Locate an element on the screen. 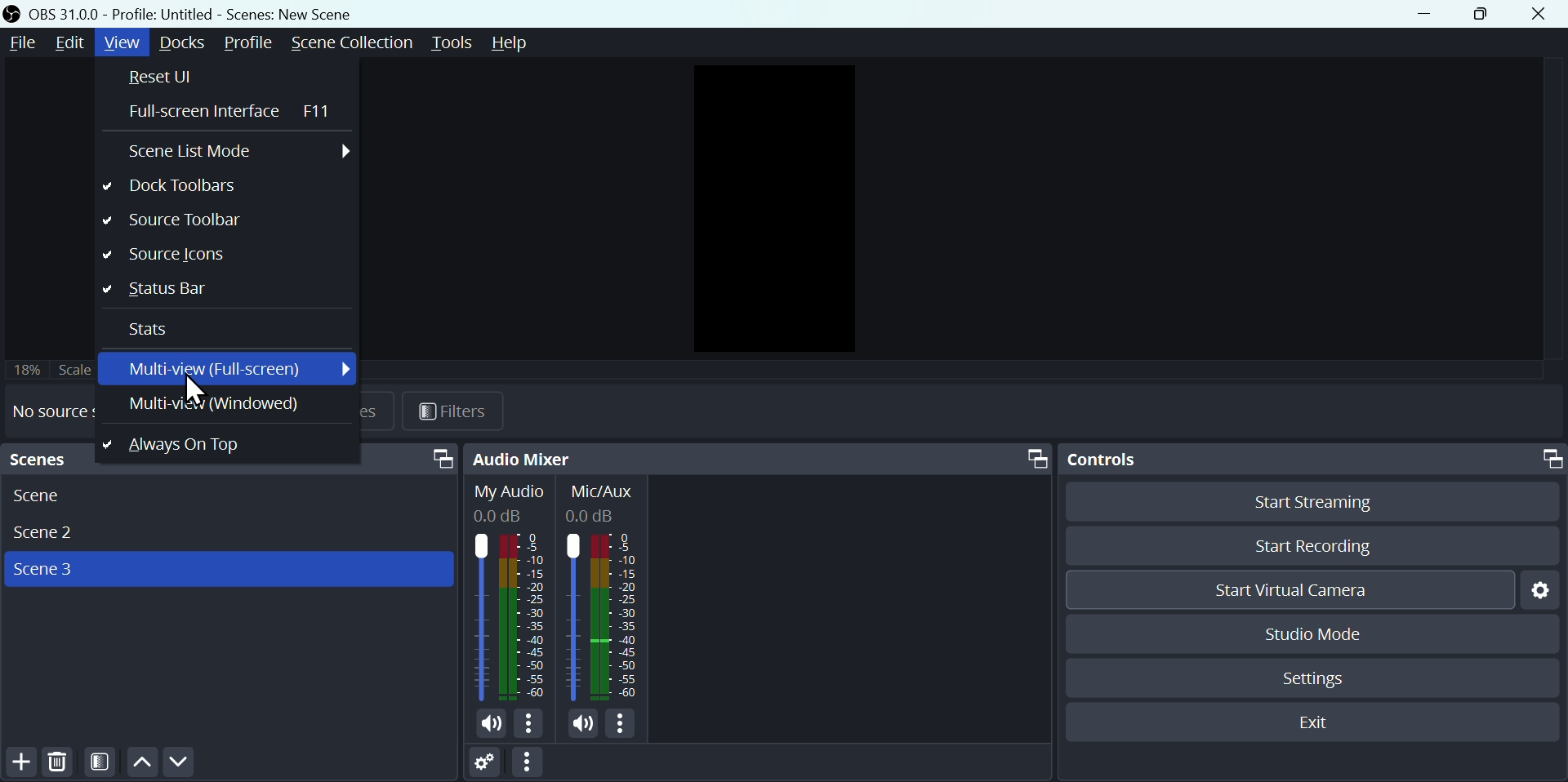 The image size is (1568, 782). Delete is located at coordinates (60, 765).